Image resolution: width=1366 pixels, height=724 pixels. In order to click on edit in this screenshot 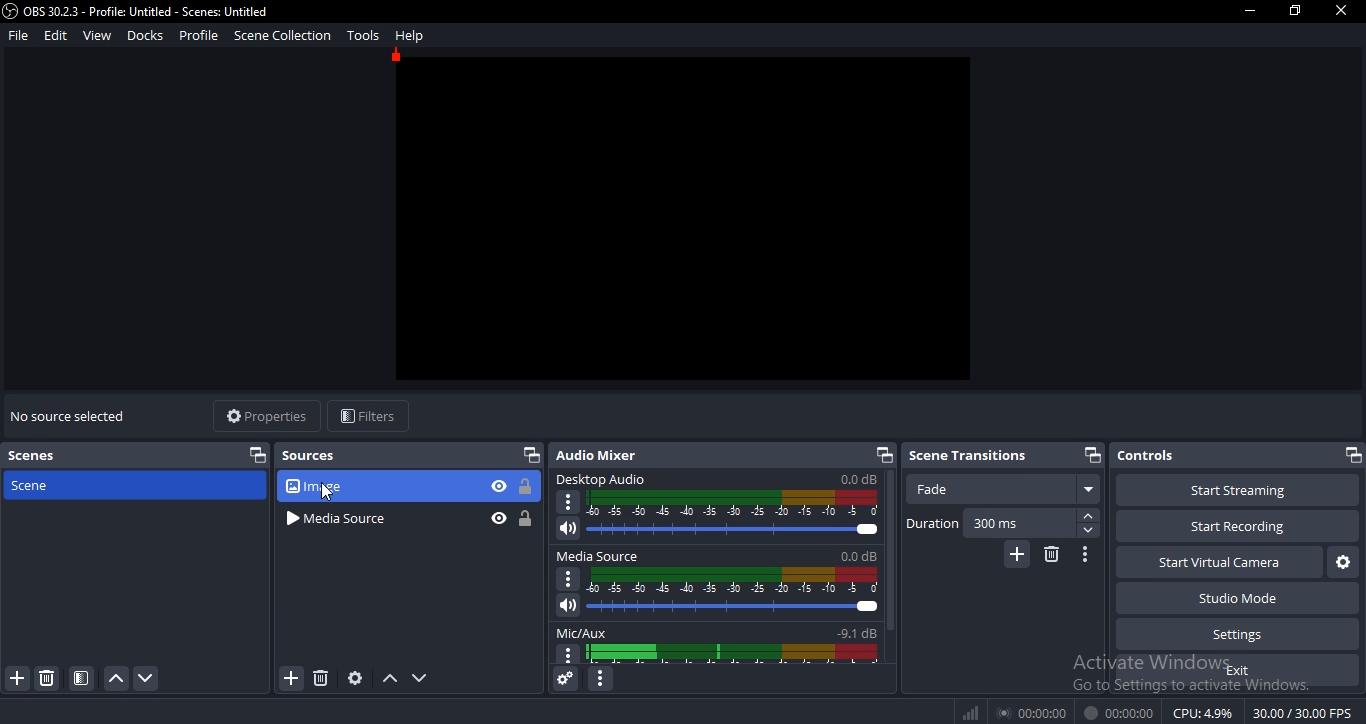, I will do `click(55, 35)`.